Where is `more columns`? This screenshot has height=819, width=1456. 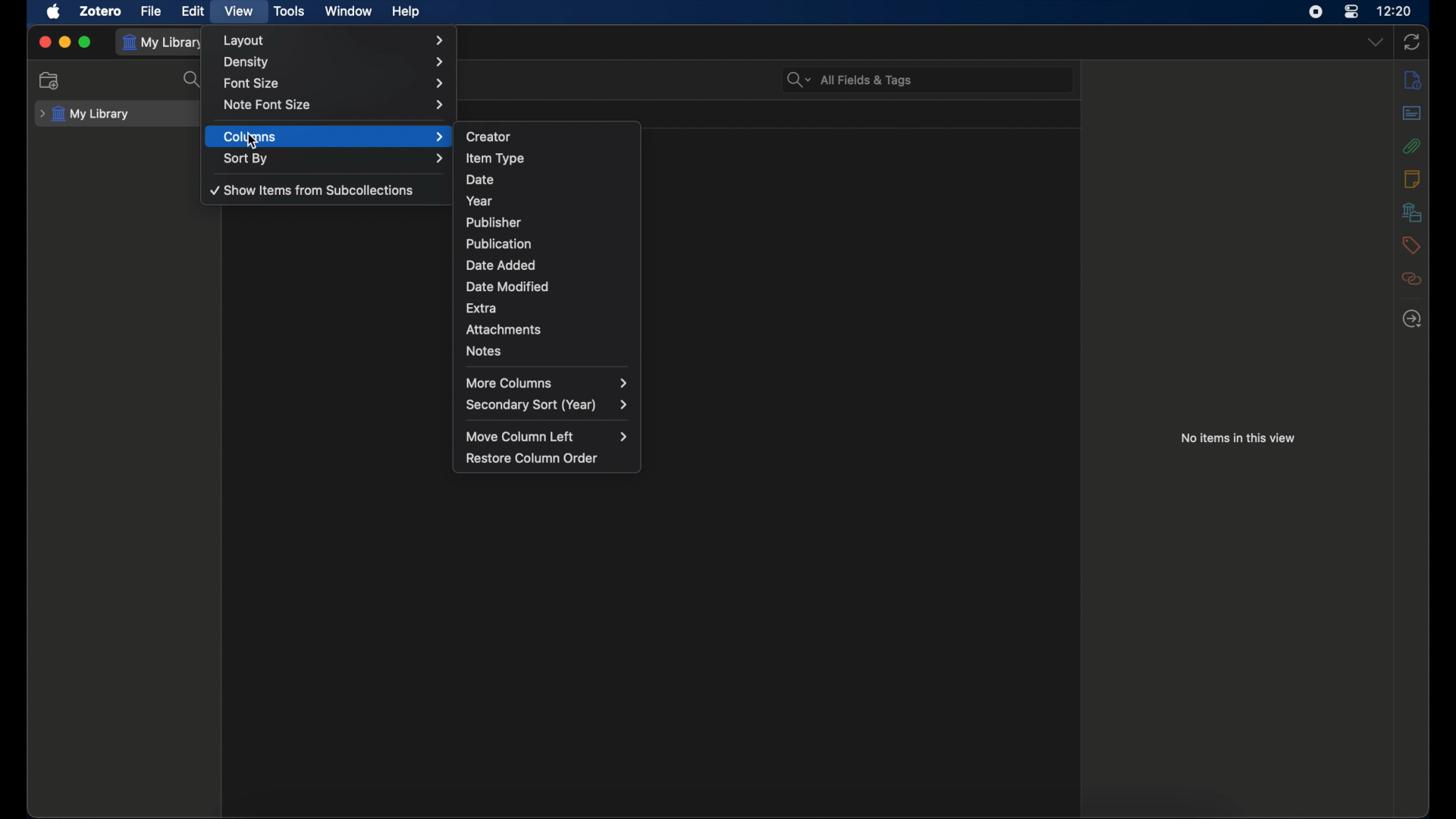 more columns is located at coordinates (547, 382).